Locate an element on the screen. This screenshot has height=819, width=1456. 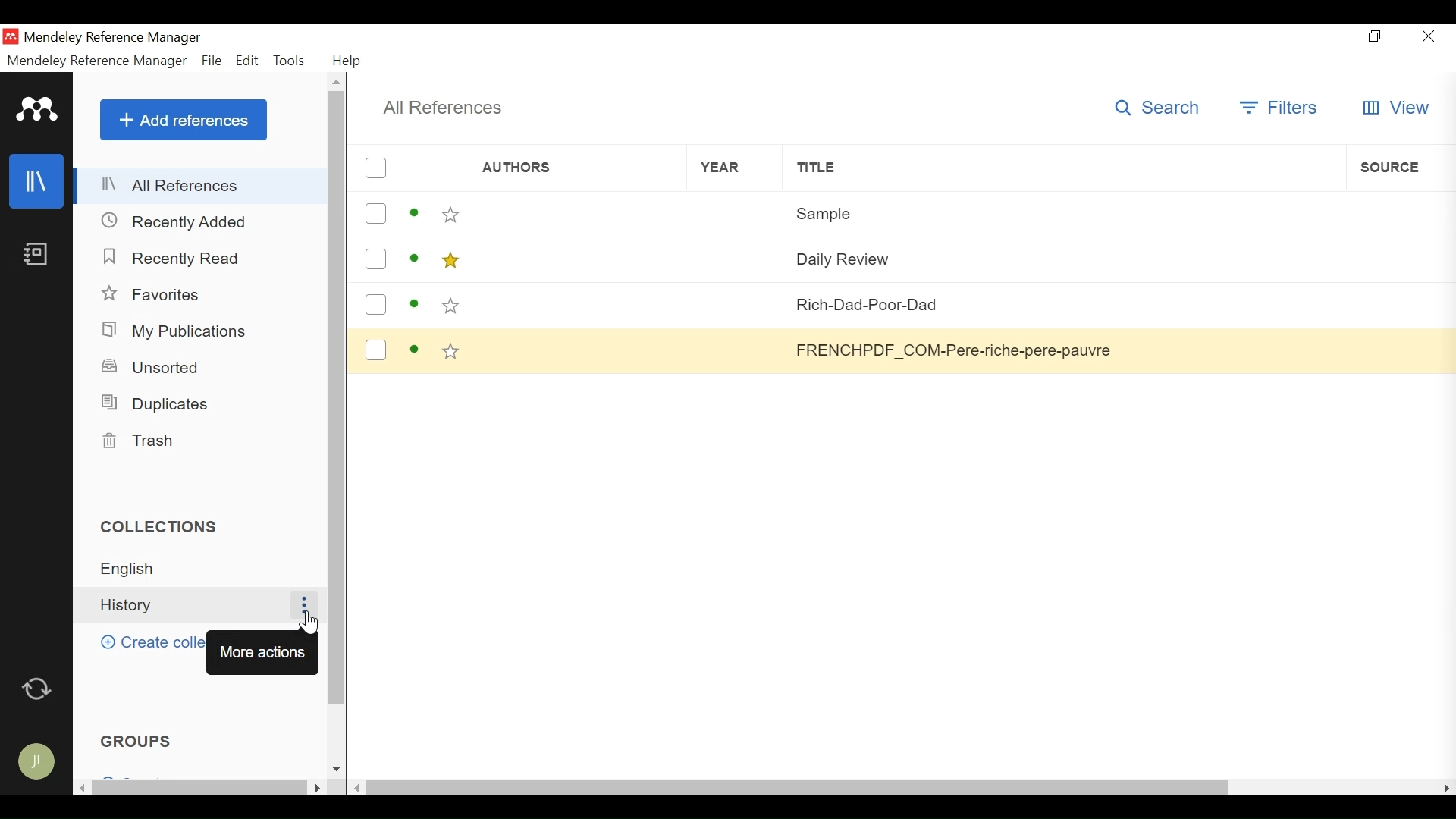
Authors is located at coordinates (576, 305).